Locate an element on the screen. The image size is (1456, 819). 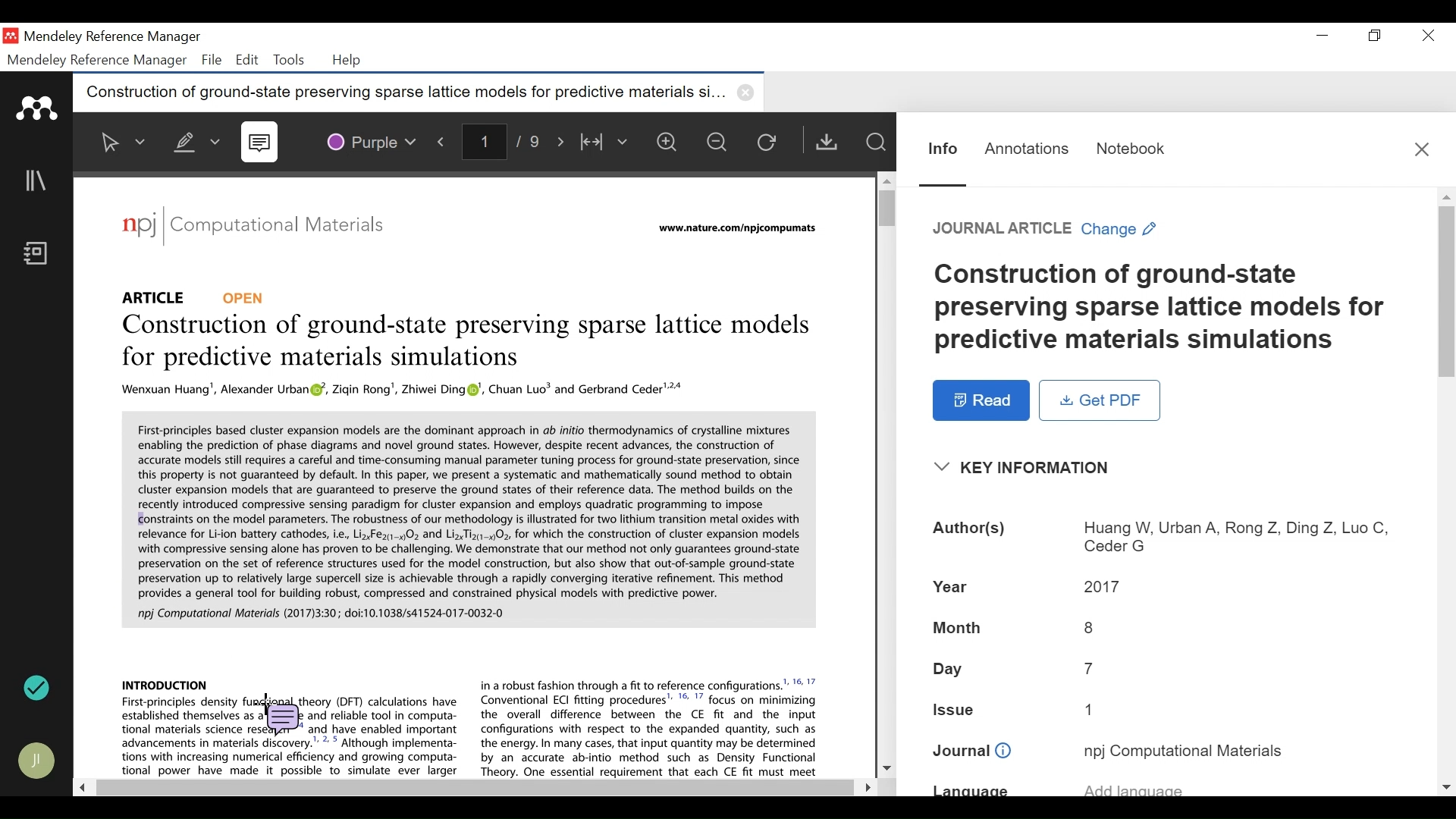
File is located at coordinates (212, 60).